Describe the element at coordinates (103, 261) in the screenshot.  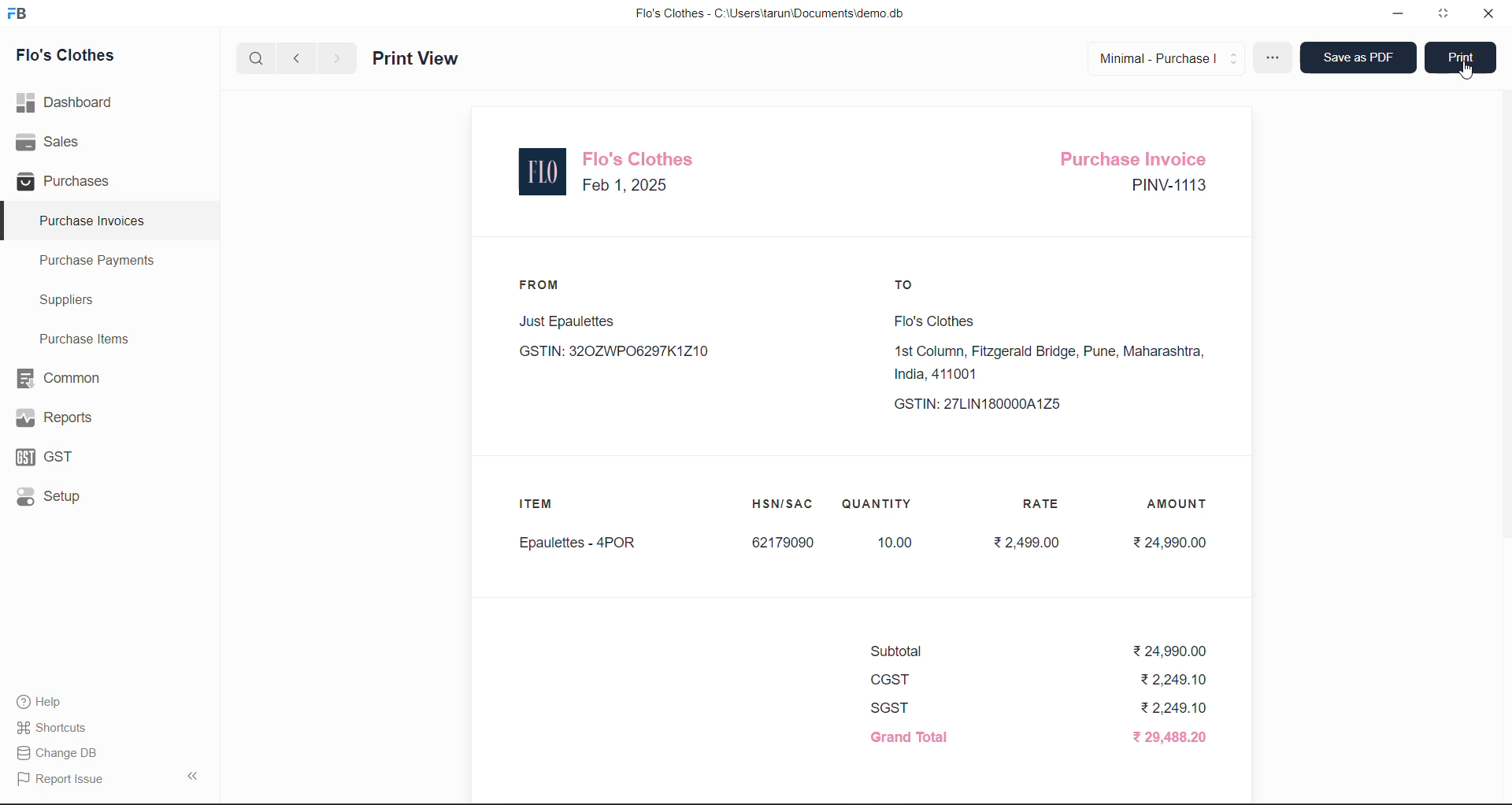
I see `Purchase Payments` at that location.